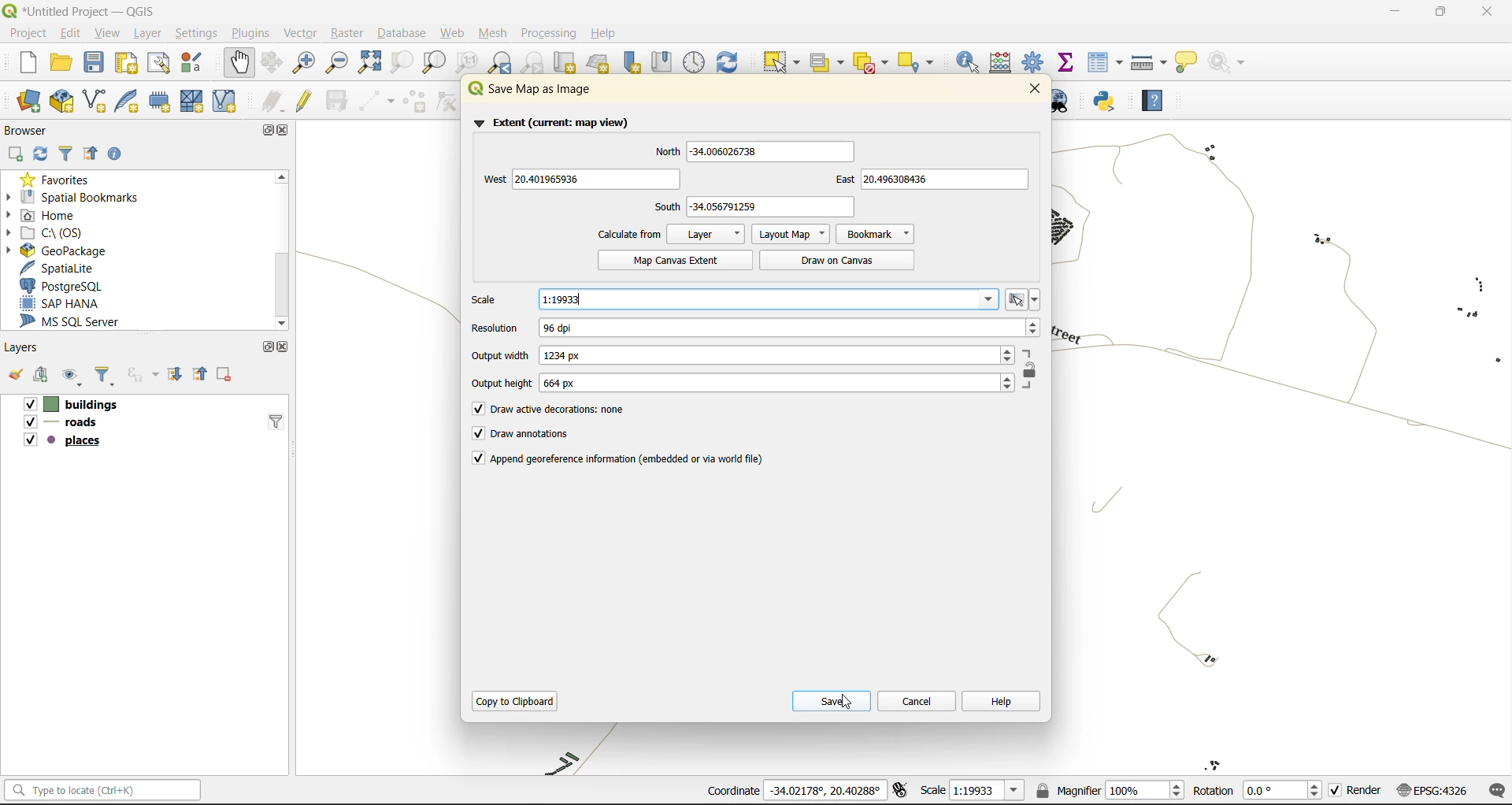  What do you see at coordinates (49, 233) in the screenshot?
I see `c\:os` at bounding box center [49, 233].